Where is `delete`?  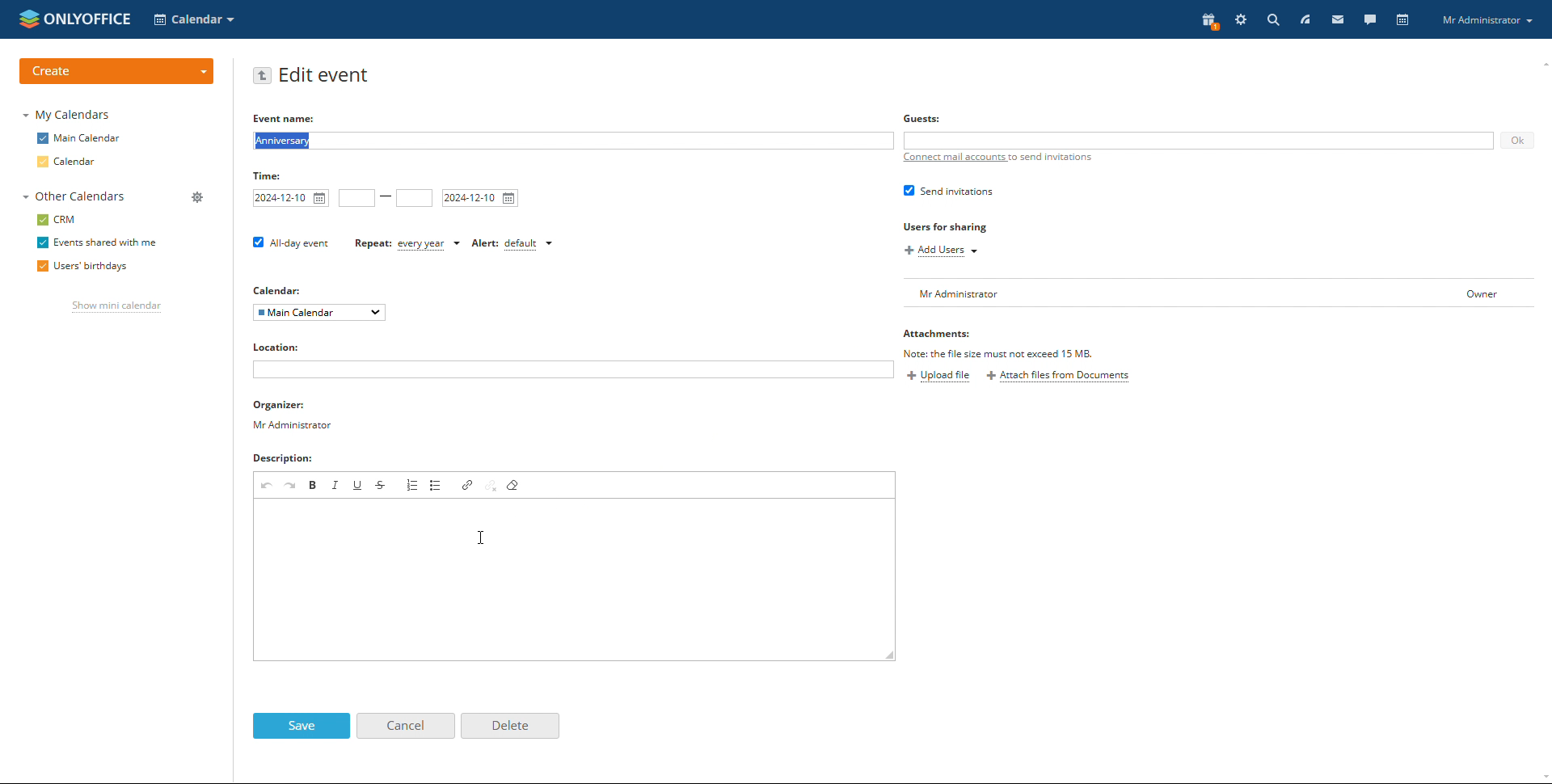
delete is located at coordinates (508, 727).